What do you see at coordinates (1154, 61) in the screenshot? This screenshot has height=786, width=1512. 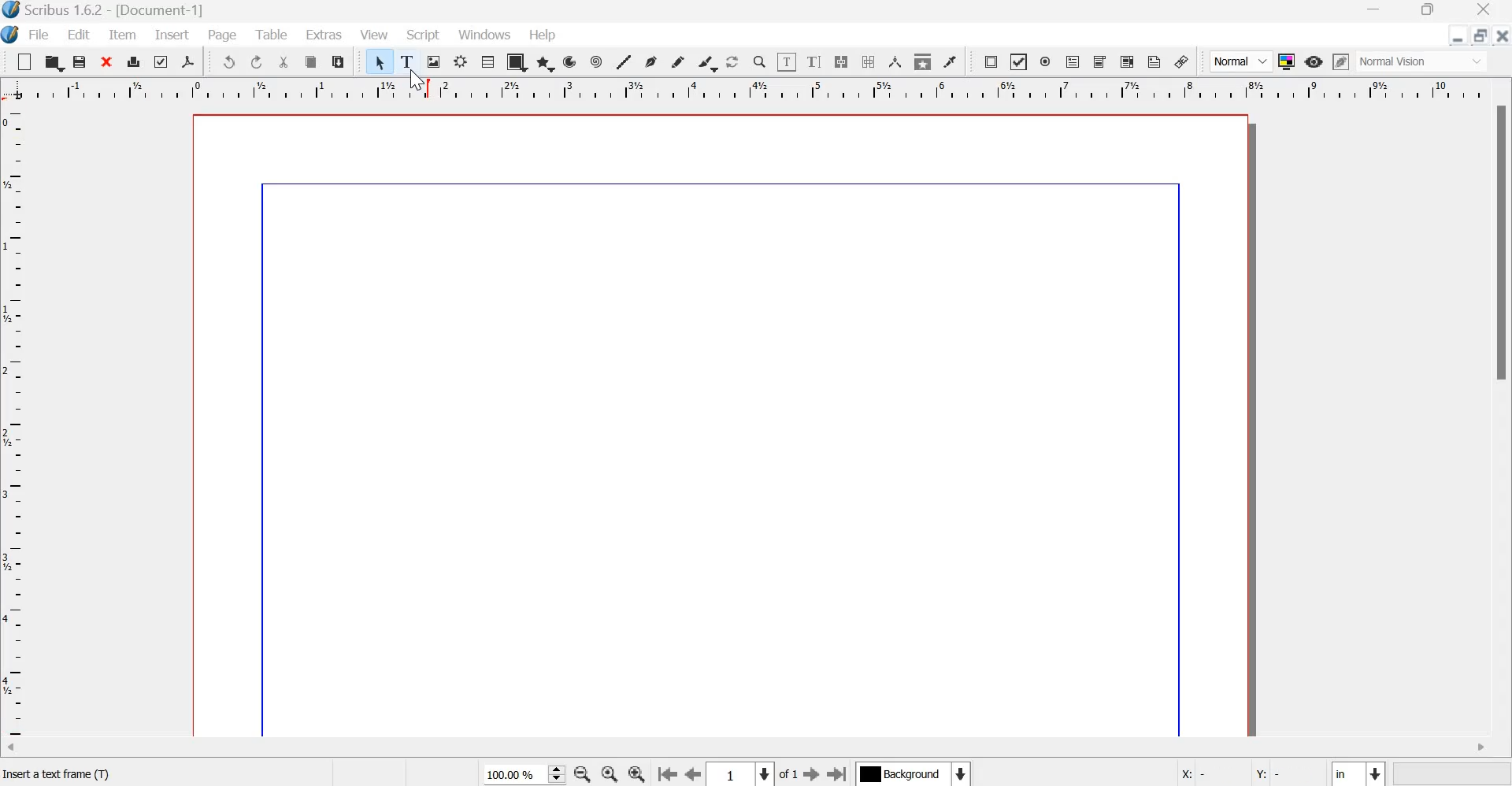 I see `Text Annotation` at bounding box center [1154, 61].